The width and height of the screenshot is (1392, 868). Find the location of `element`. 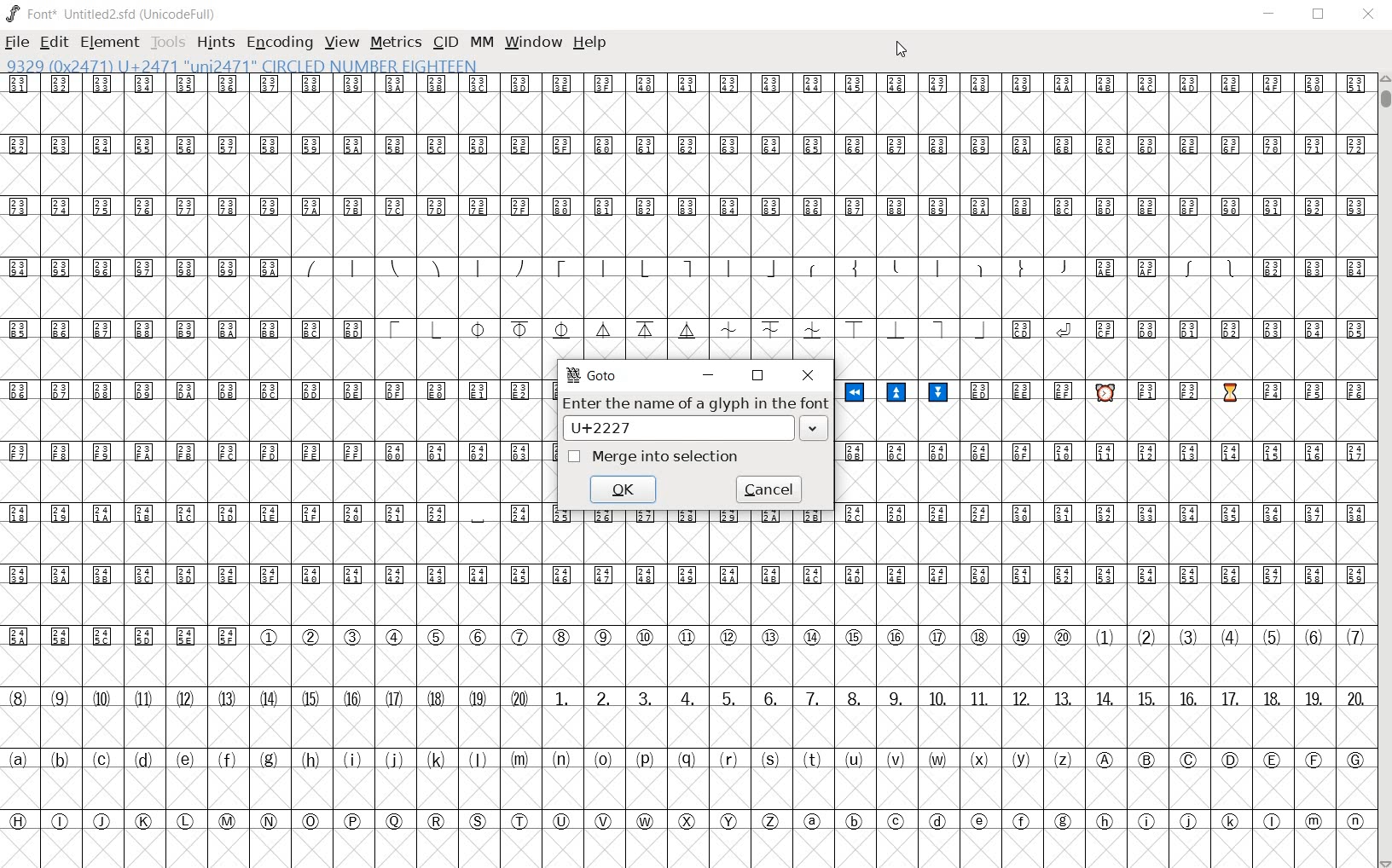

element is located at coordinates (109, 43).